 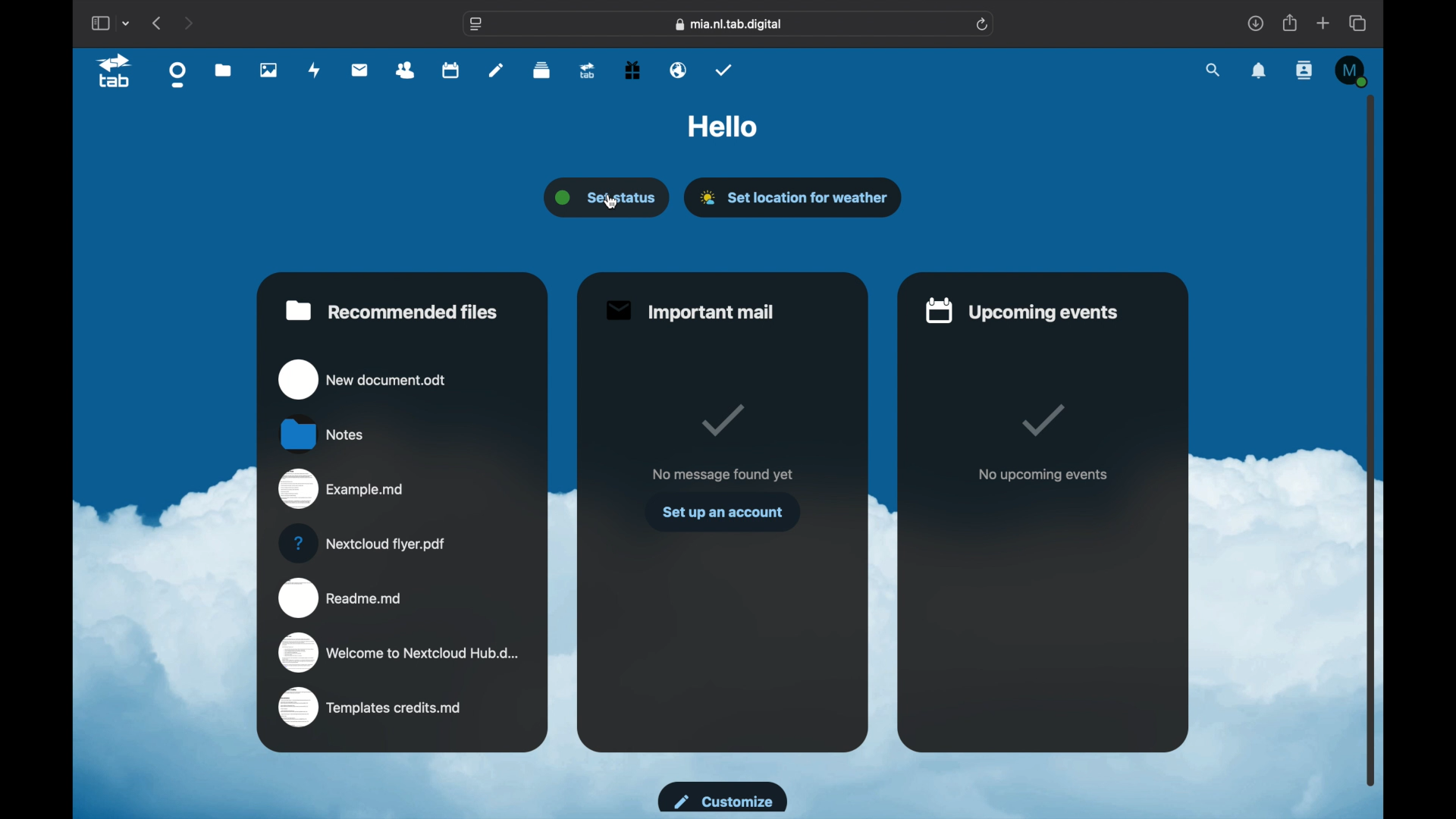 What do you see at coordinates (392, 310) in the screenshot?
I see `recommended files` at bounding box center [392, 310].